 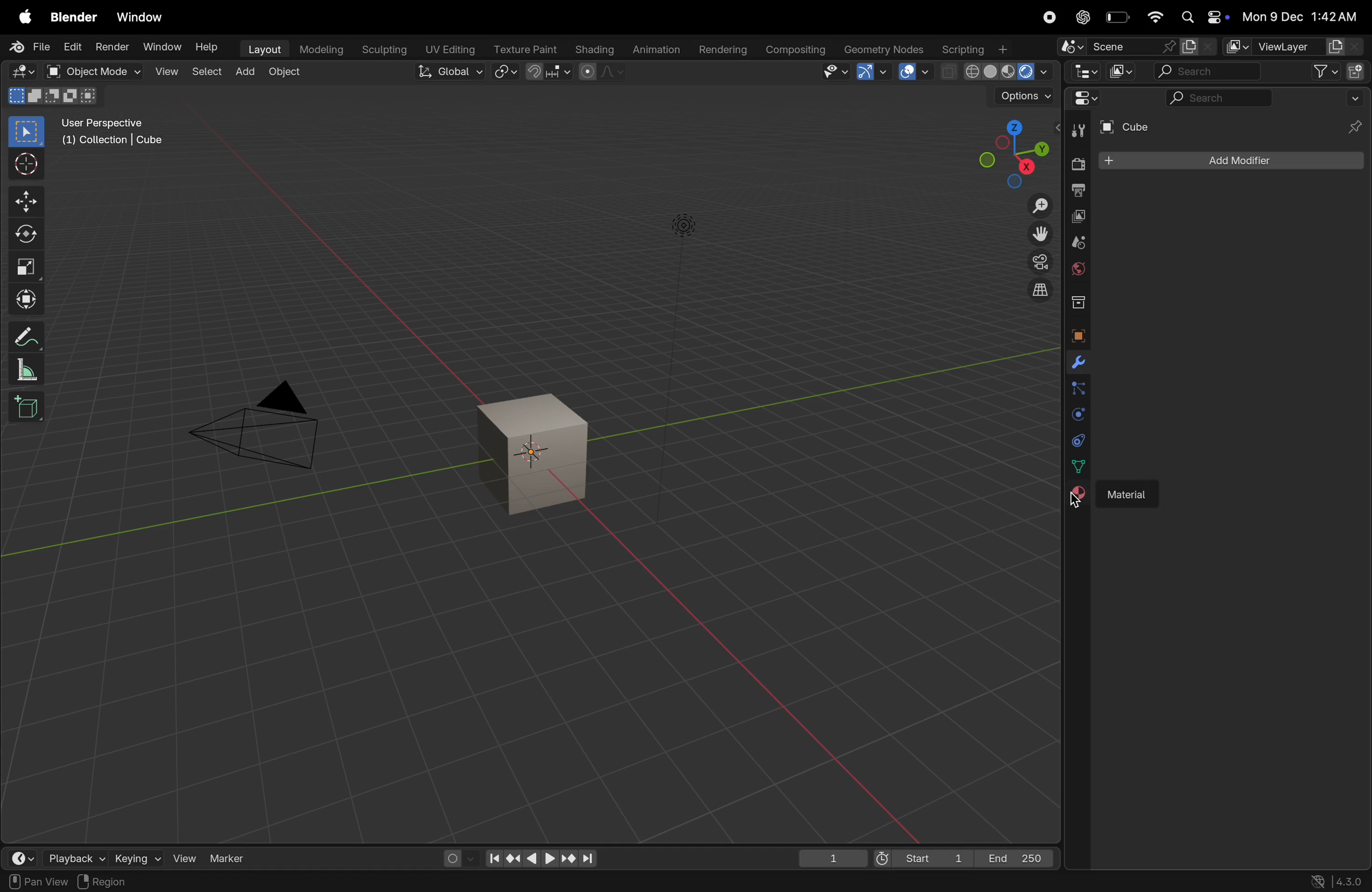 I want to click on display mode, so click(x=1120, y=70).